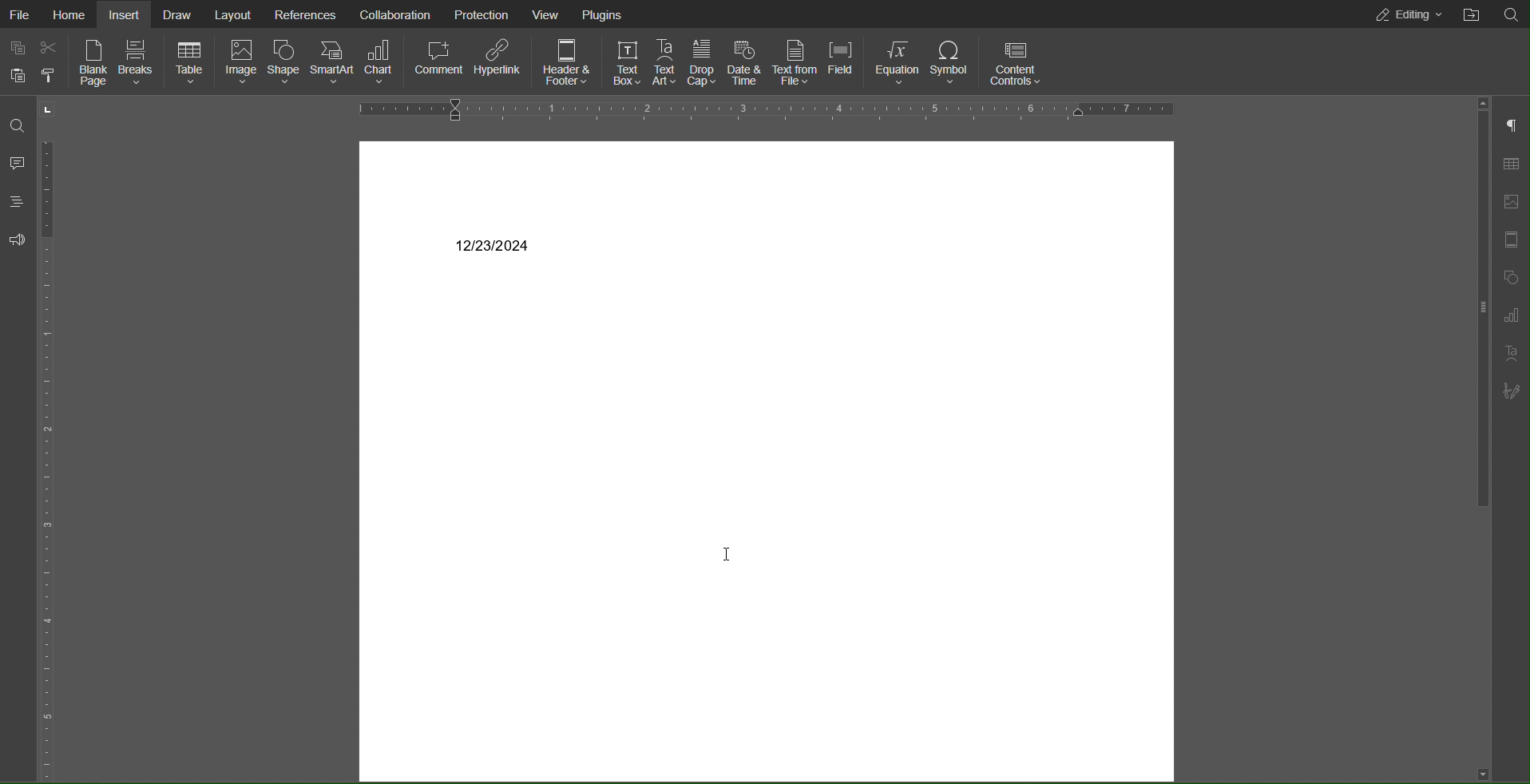  I want to click on Paragraph Settings, so click(1515, 127).